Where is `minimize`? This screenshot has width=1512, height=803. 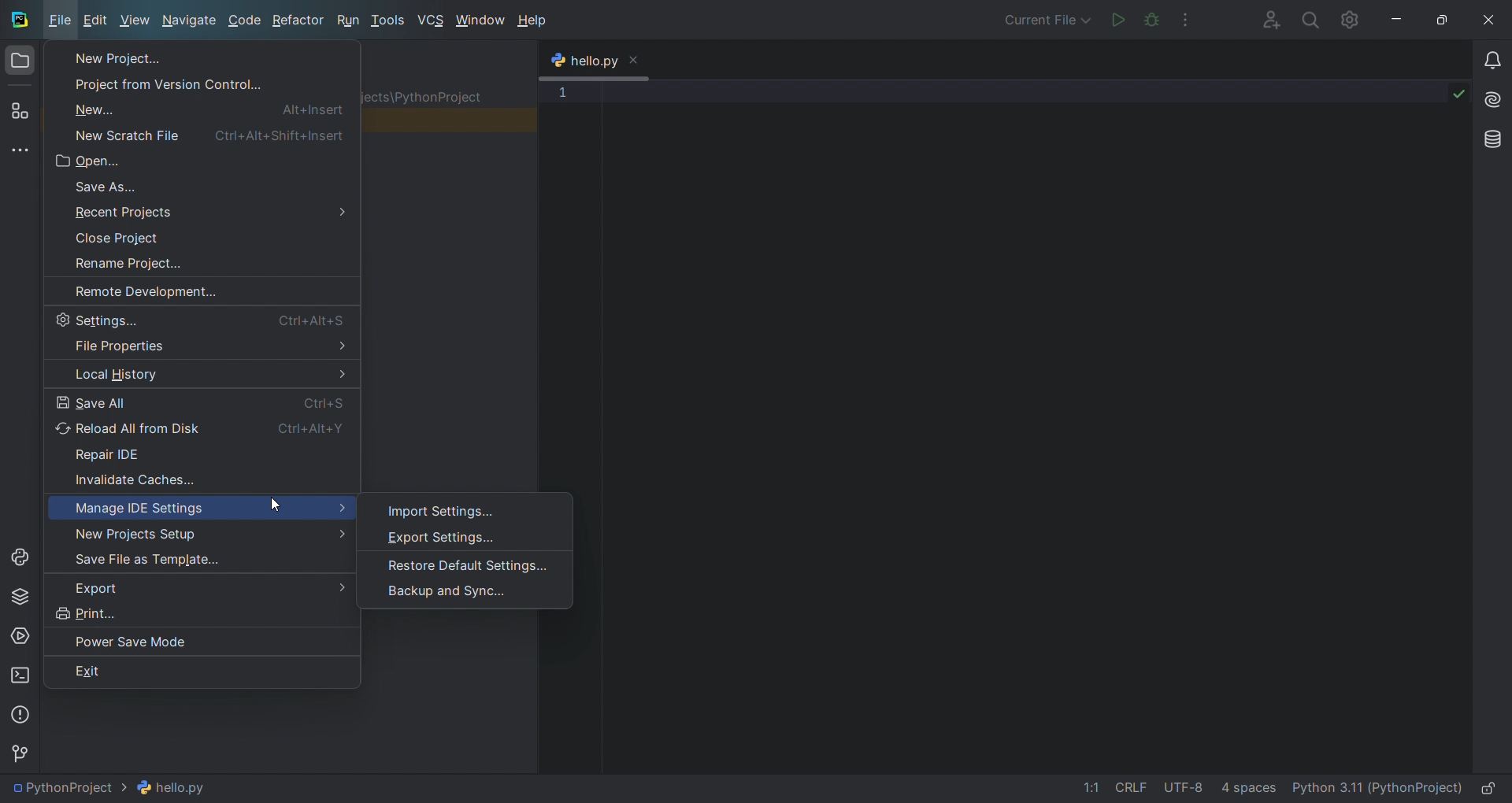
minimize is located at coordinates (1395, 18).